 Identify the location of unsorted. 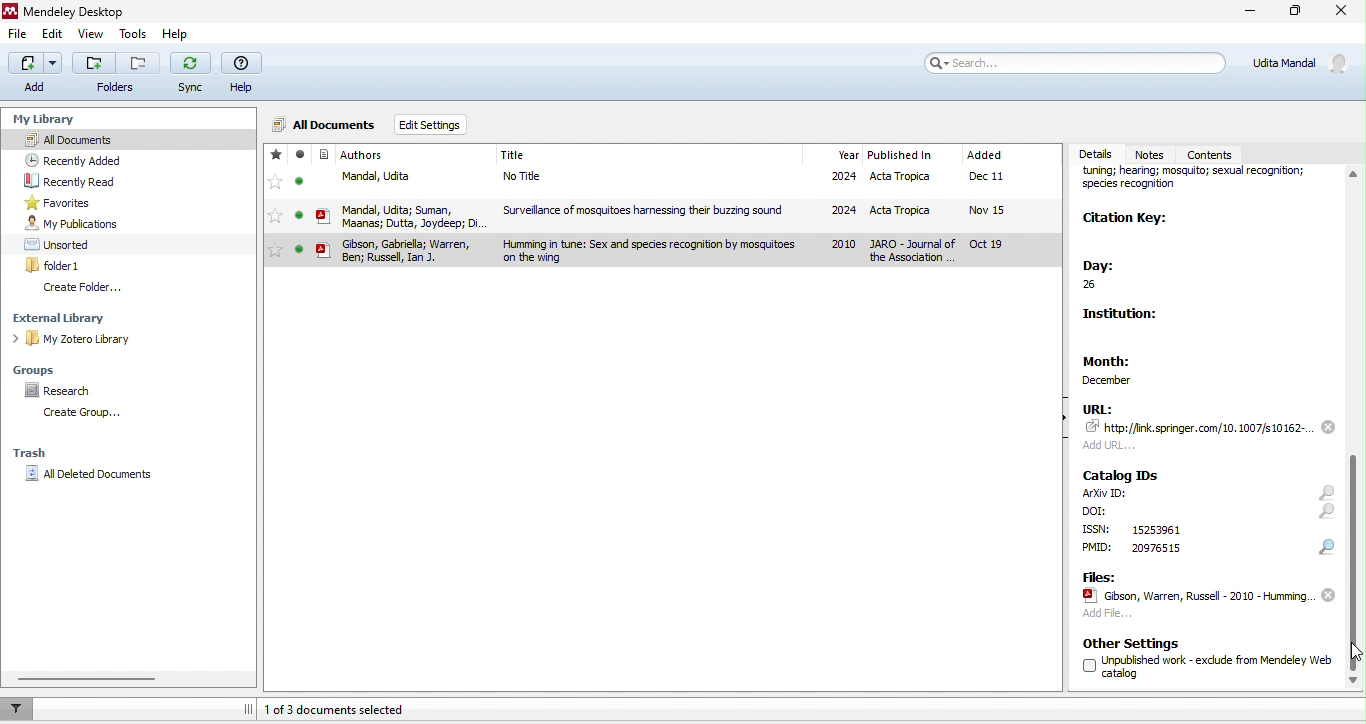
(60, 244).